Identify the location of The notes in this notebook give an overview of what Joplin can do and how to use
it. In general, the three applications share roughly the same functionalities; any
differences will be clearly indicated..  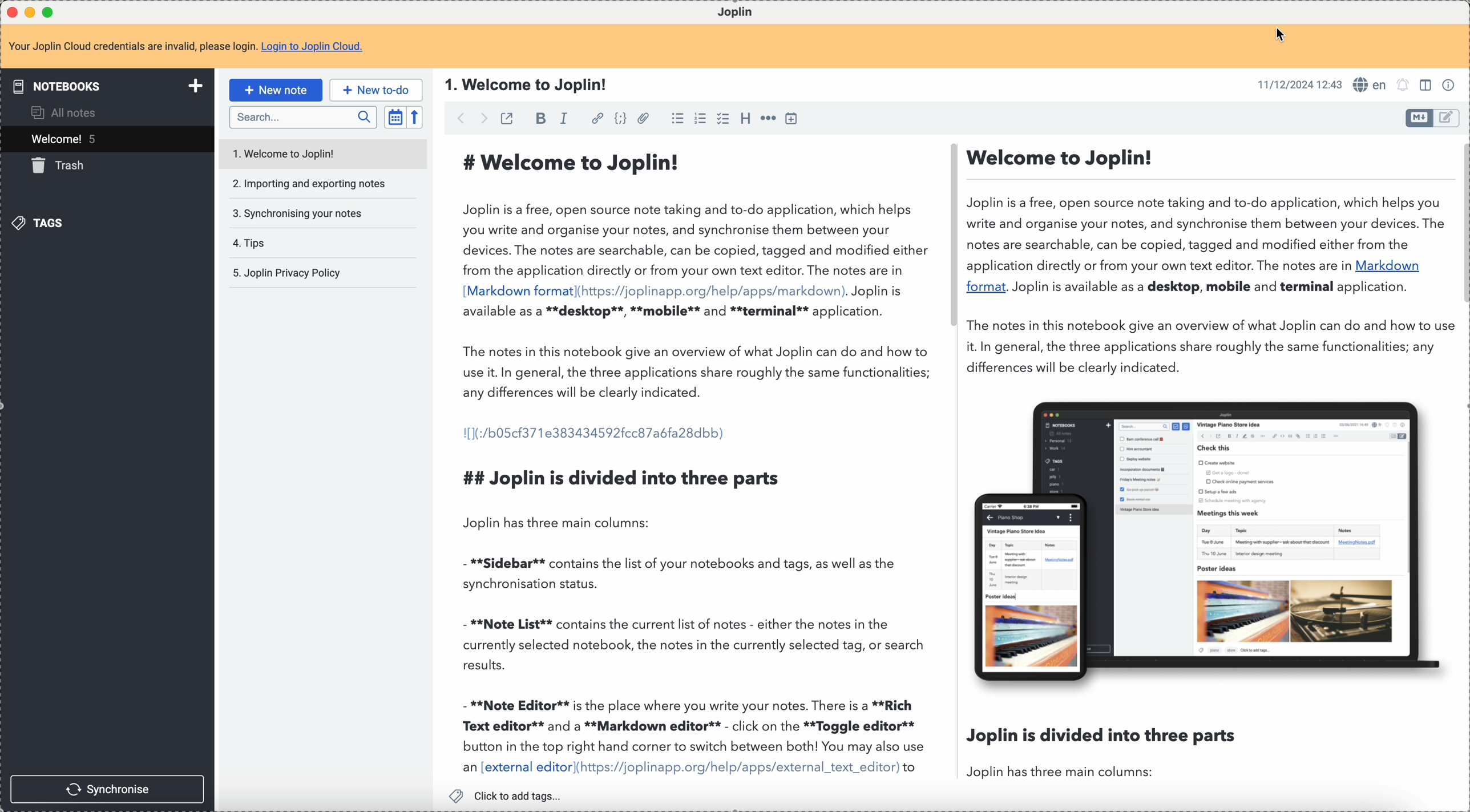
(1209, 346).